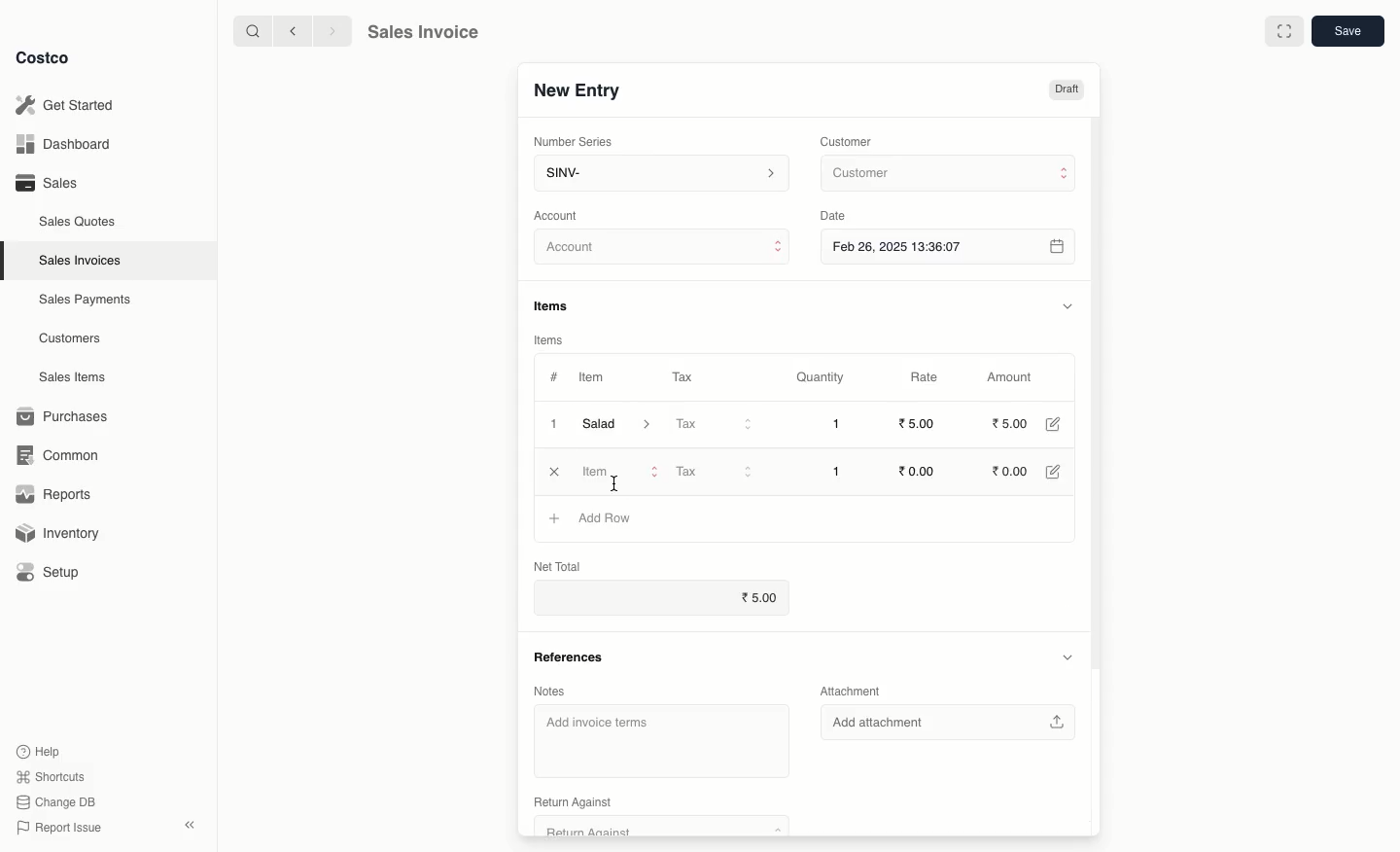 The image size is (1400, 852). I want to click on #, so click(554, 375).